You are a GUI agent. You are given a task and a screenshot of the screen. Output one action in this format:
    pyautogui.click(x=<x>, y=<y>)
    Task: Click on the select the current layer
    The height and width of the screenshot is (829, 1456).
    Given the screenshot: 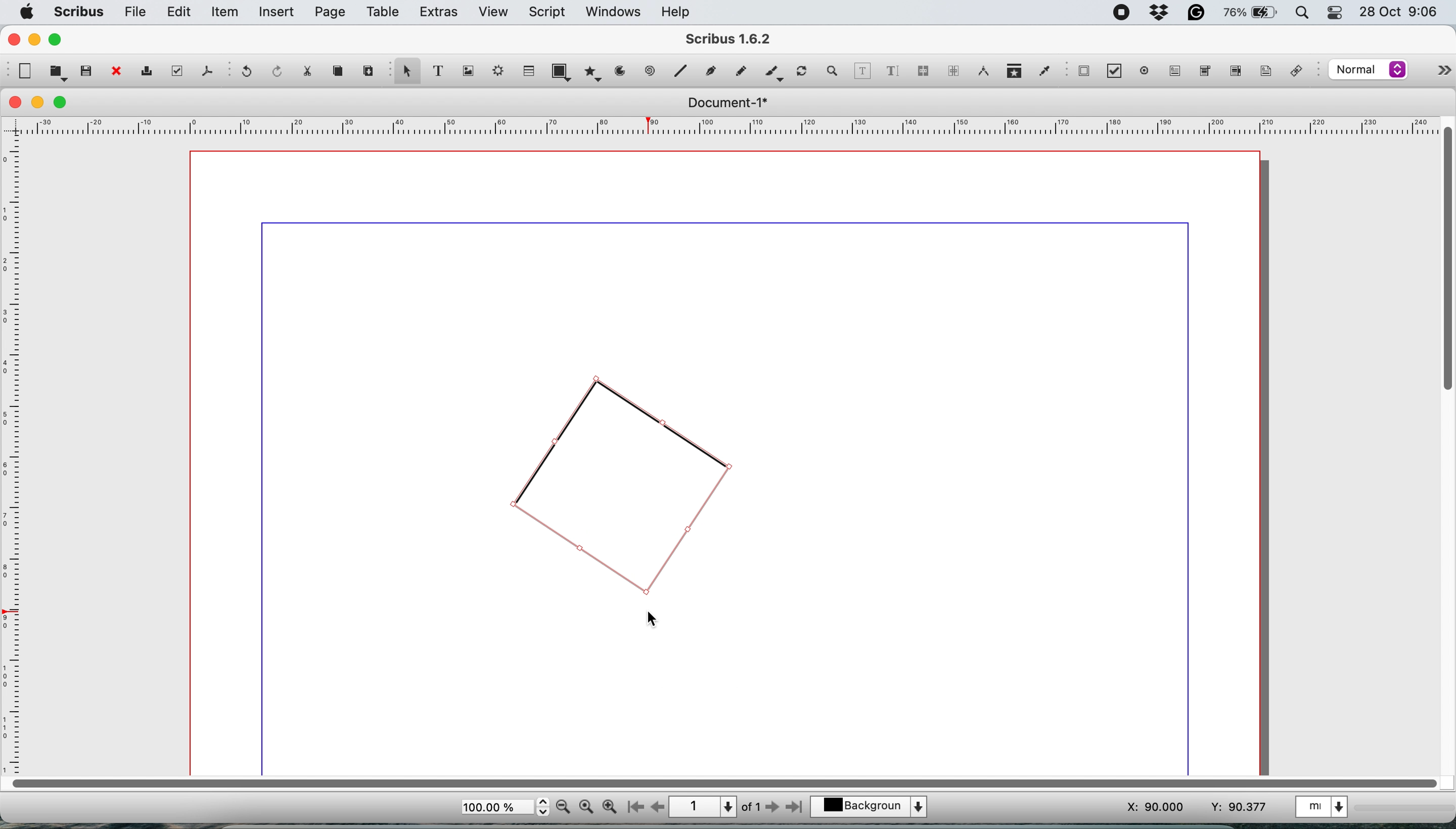 What is the action you would take?
    pyautogui.click(x=871, y=805)
    